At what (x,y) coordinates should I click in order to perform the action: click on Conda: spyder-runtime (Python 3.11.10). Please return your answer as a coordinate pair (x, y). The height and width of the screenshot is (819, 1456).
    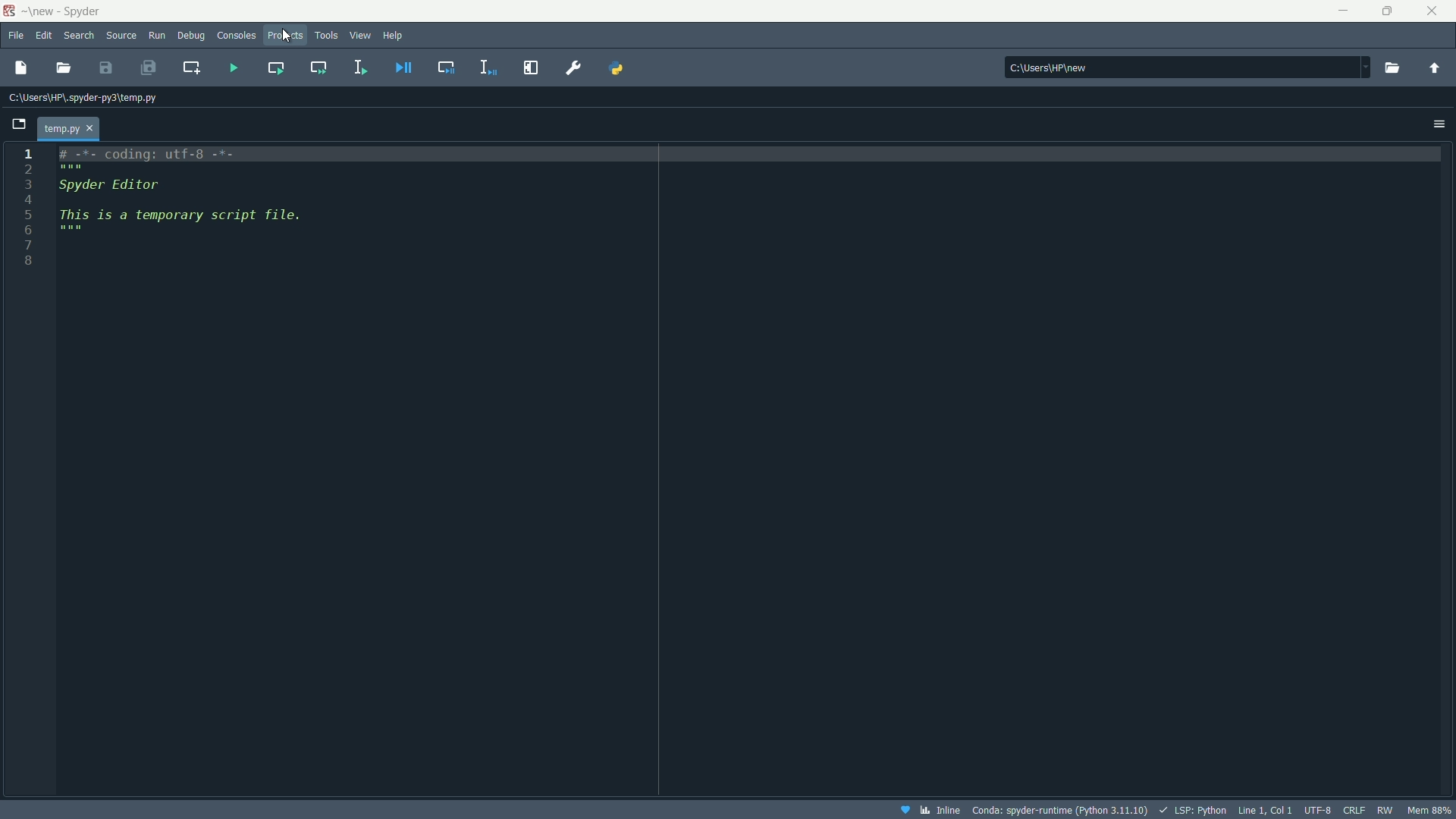
    Looking at the image, I should click on (1056, 811).